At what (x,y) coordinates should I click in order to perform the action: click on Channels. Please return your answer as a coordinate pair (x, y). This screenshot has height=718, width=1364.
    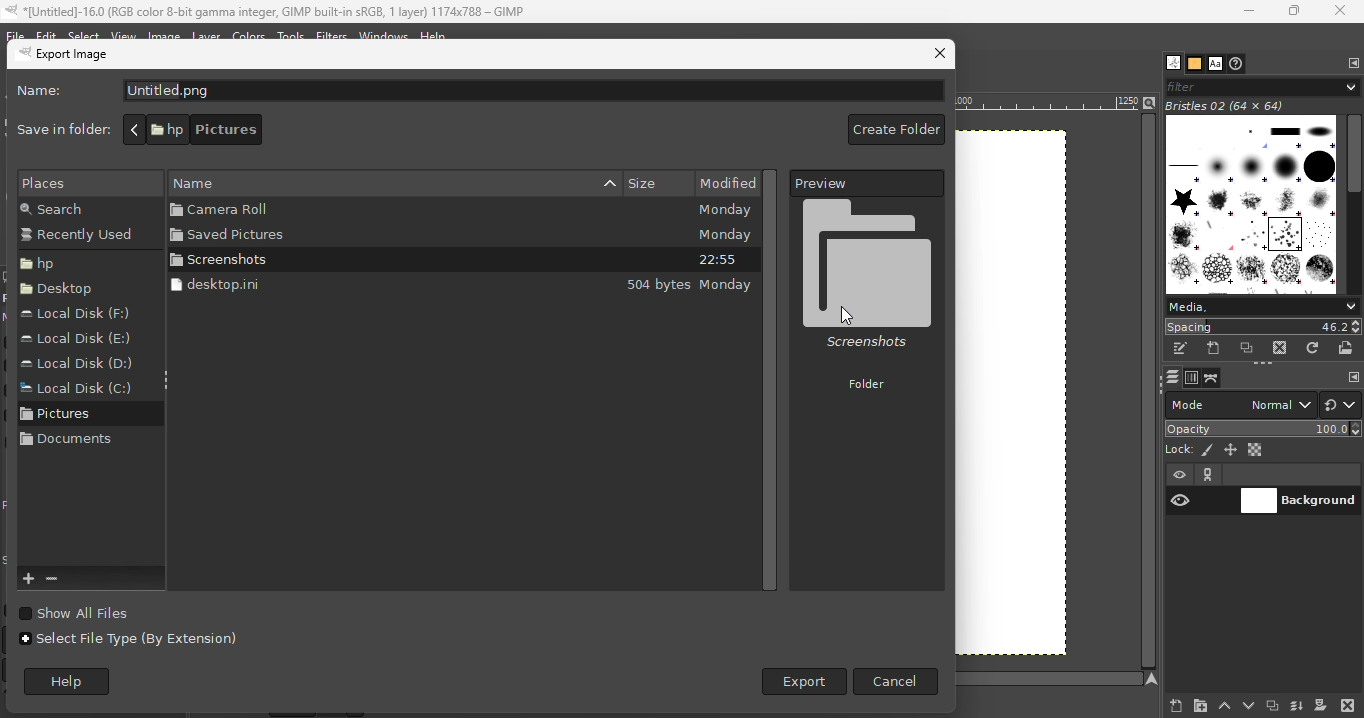
    Looking at the image, I should click on (1192, 378).